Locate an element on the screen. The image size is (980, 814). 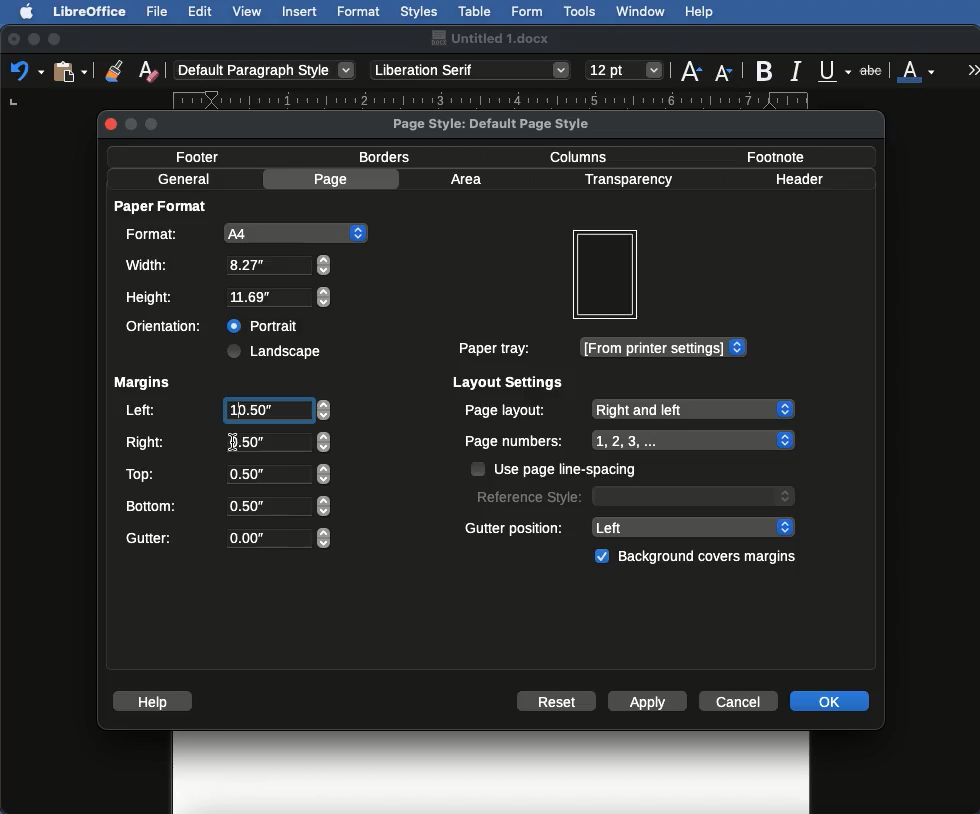
Insert is located at coordinates (300, 11).